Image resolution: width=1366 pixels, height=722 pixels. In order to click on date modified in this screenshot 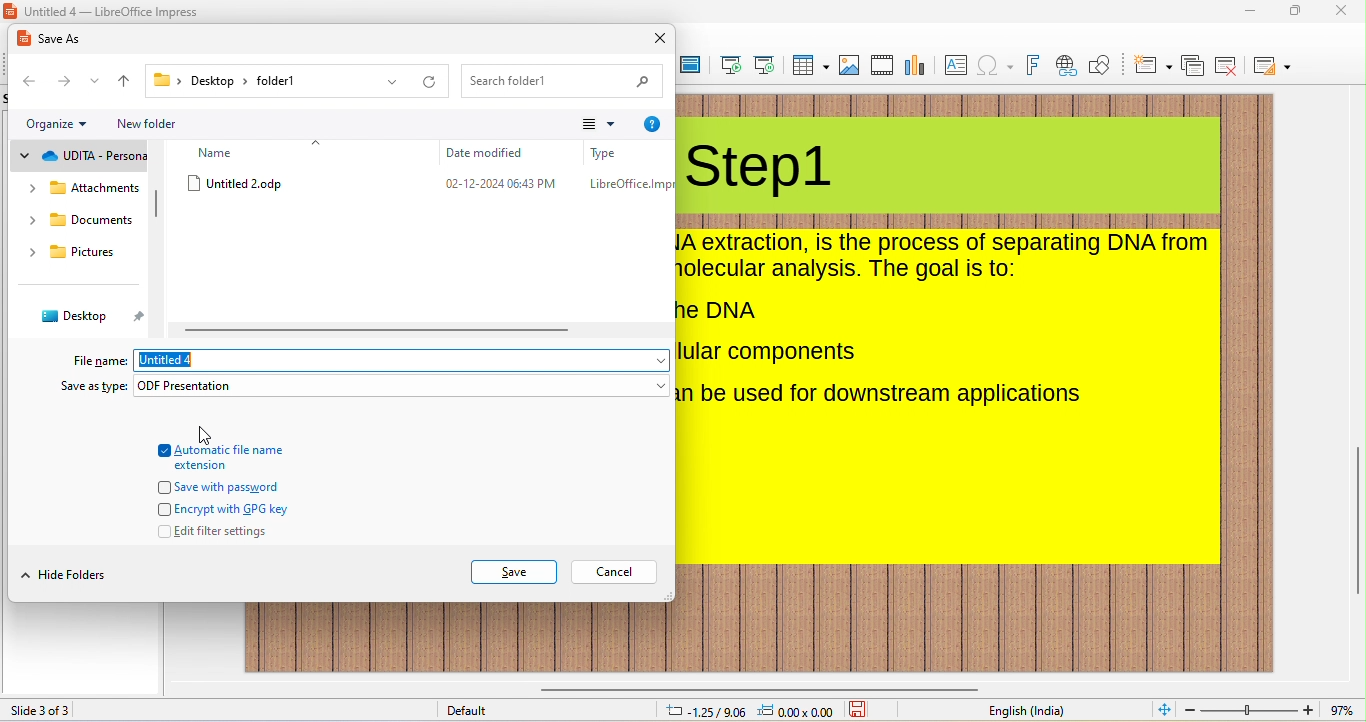, I will do `click(484, 153)`.